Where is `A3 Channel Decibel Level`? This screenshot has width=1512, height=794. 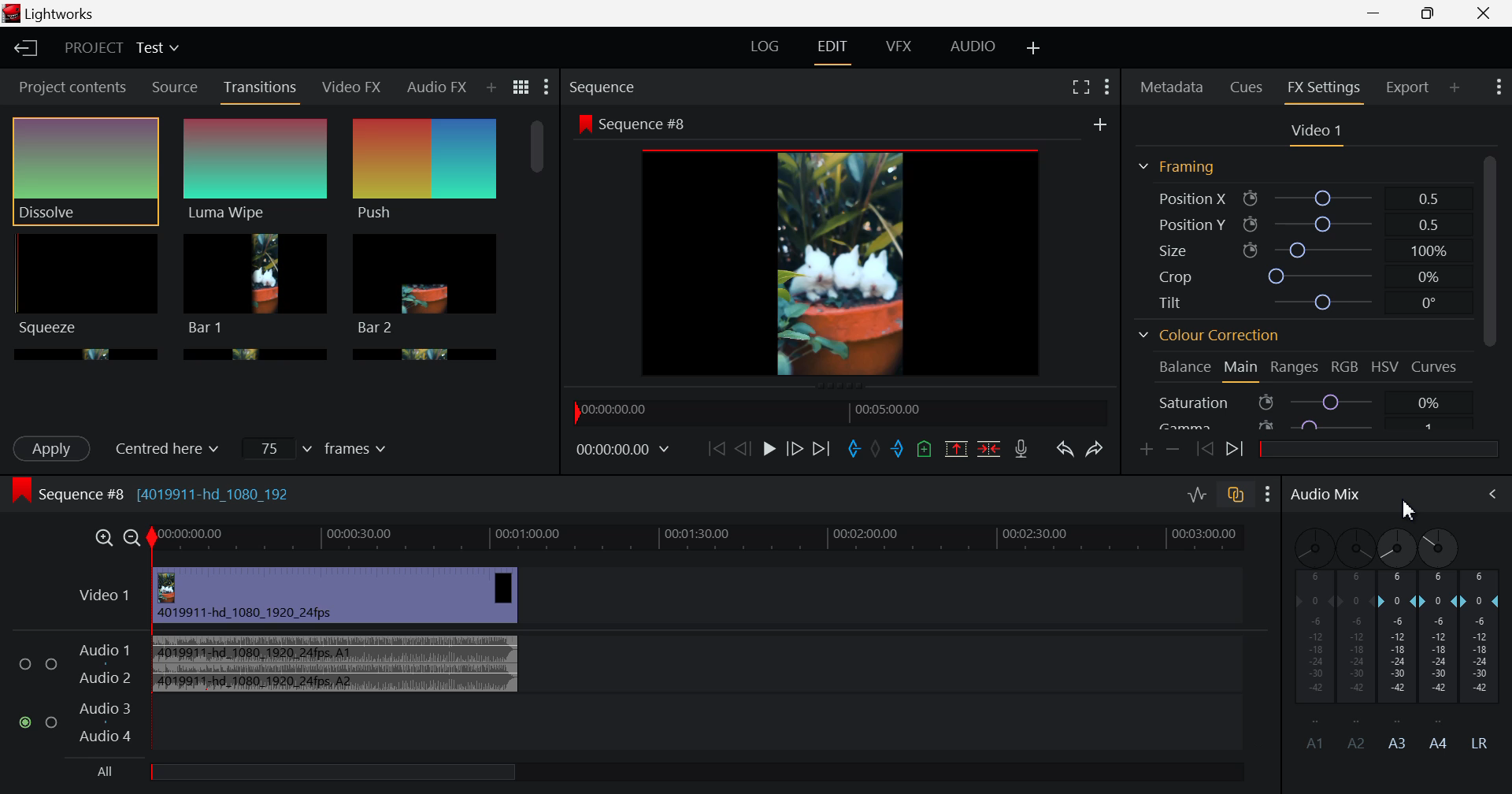
A3 Channel Decibel Level is located at coordinates (1398, 637).